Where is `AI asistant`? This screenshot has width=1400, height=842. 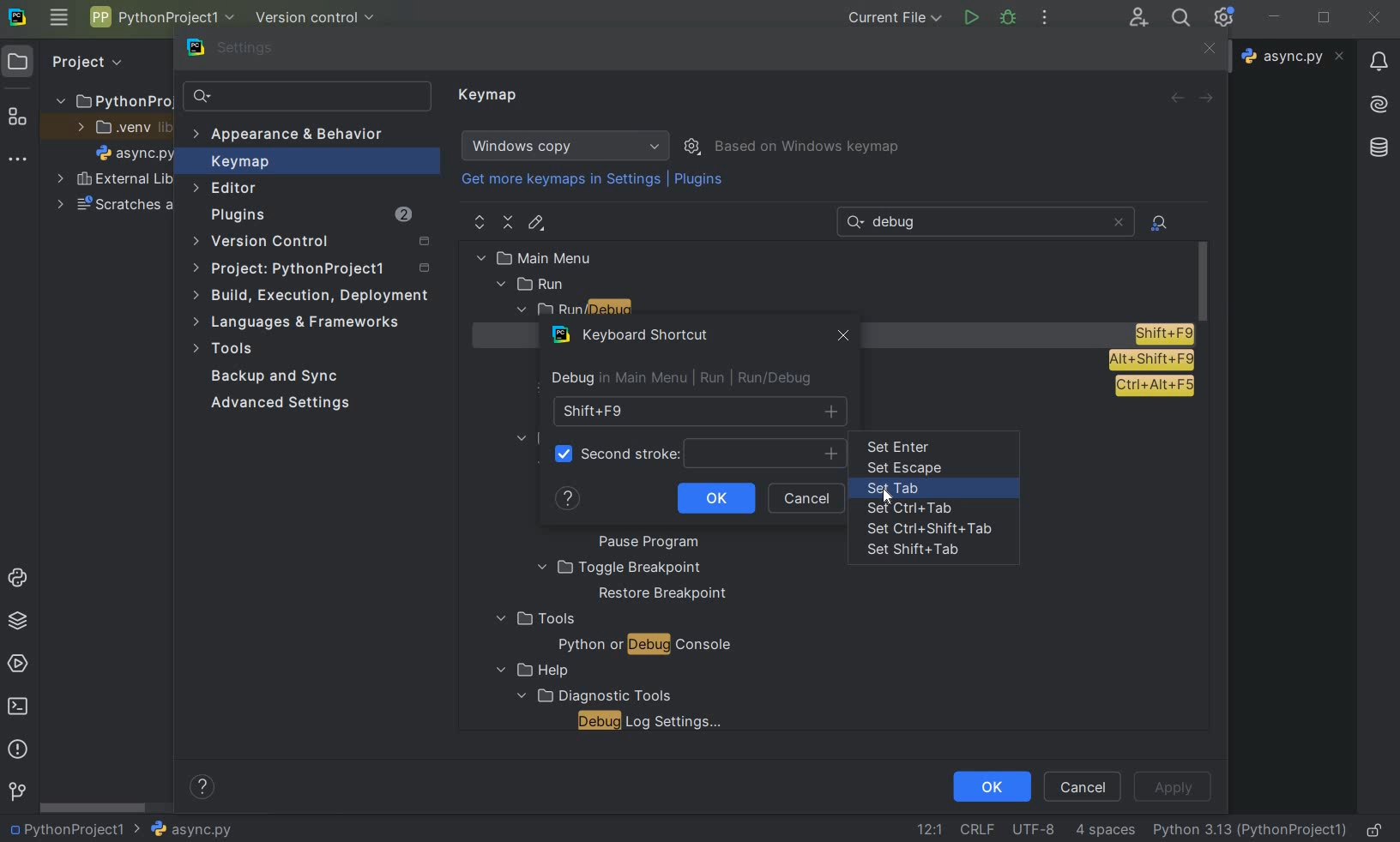
AI asistant is located at coordinates (1377, 99).